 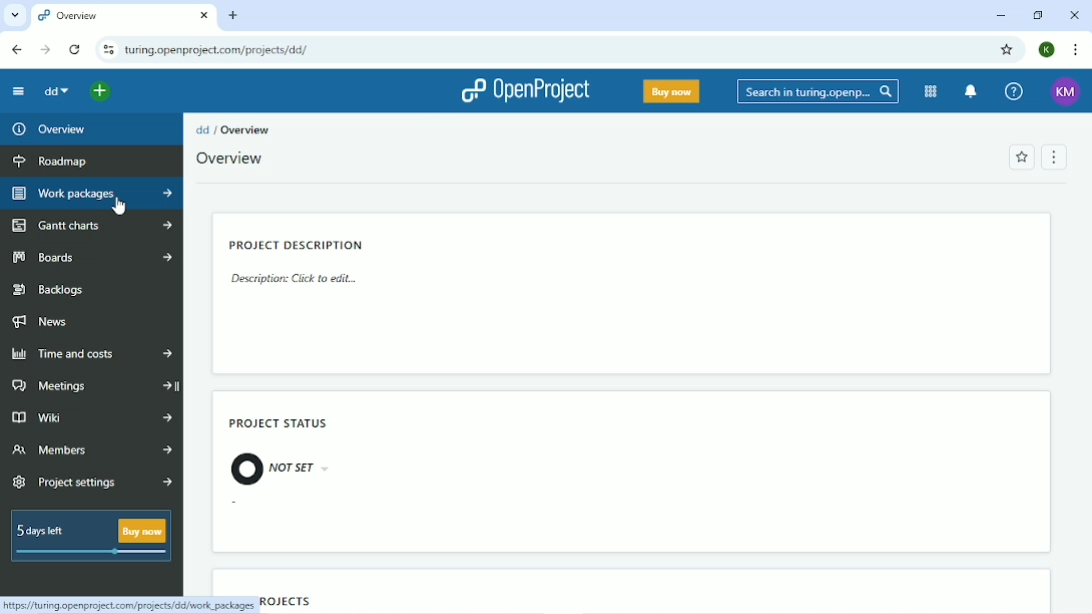 What do you see at coordinates (298, 242) in the screenshot?
I see `Project description Description` at bounding box center [298, 242].